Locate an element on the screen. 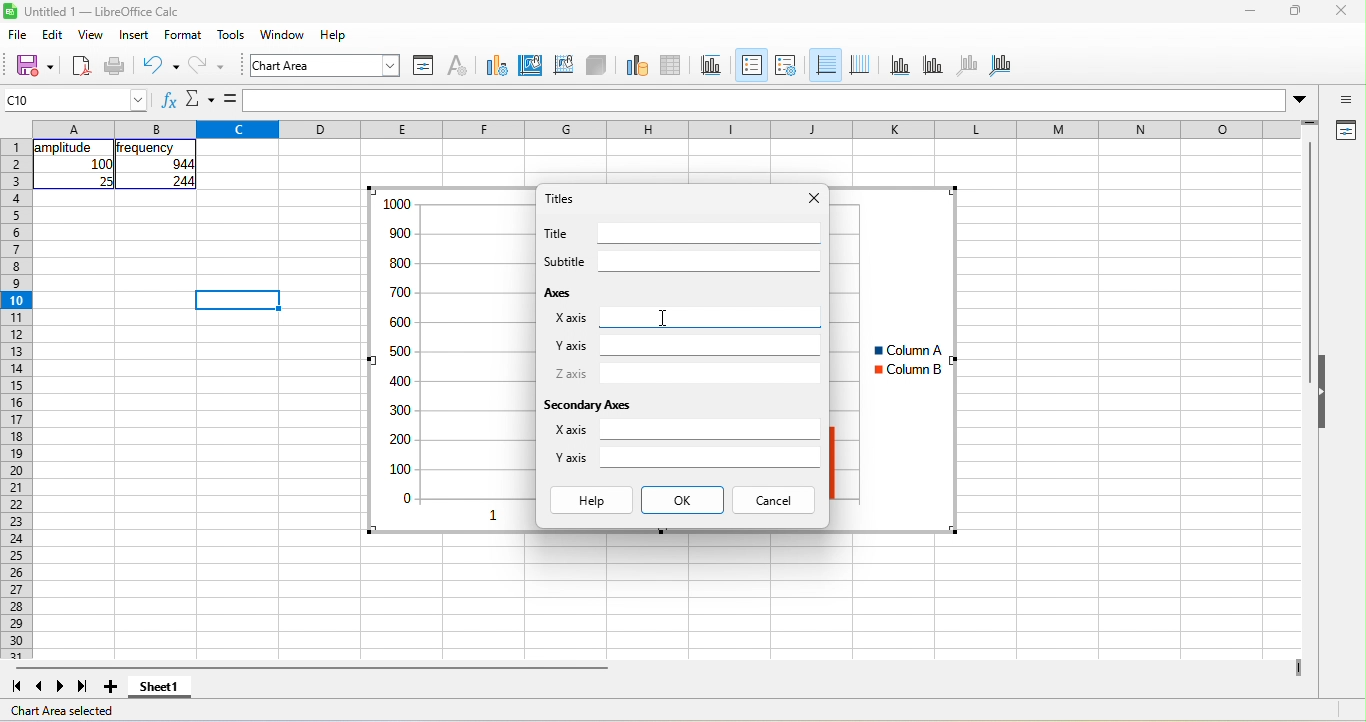 The image size is (1366, 722). tools is located at coordinates (231, 34).